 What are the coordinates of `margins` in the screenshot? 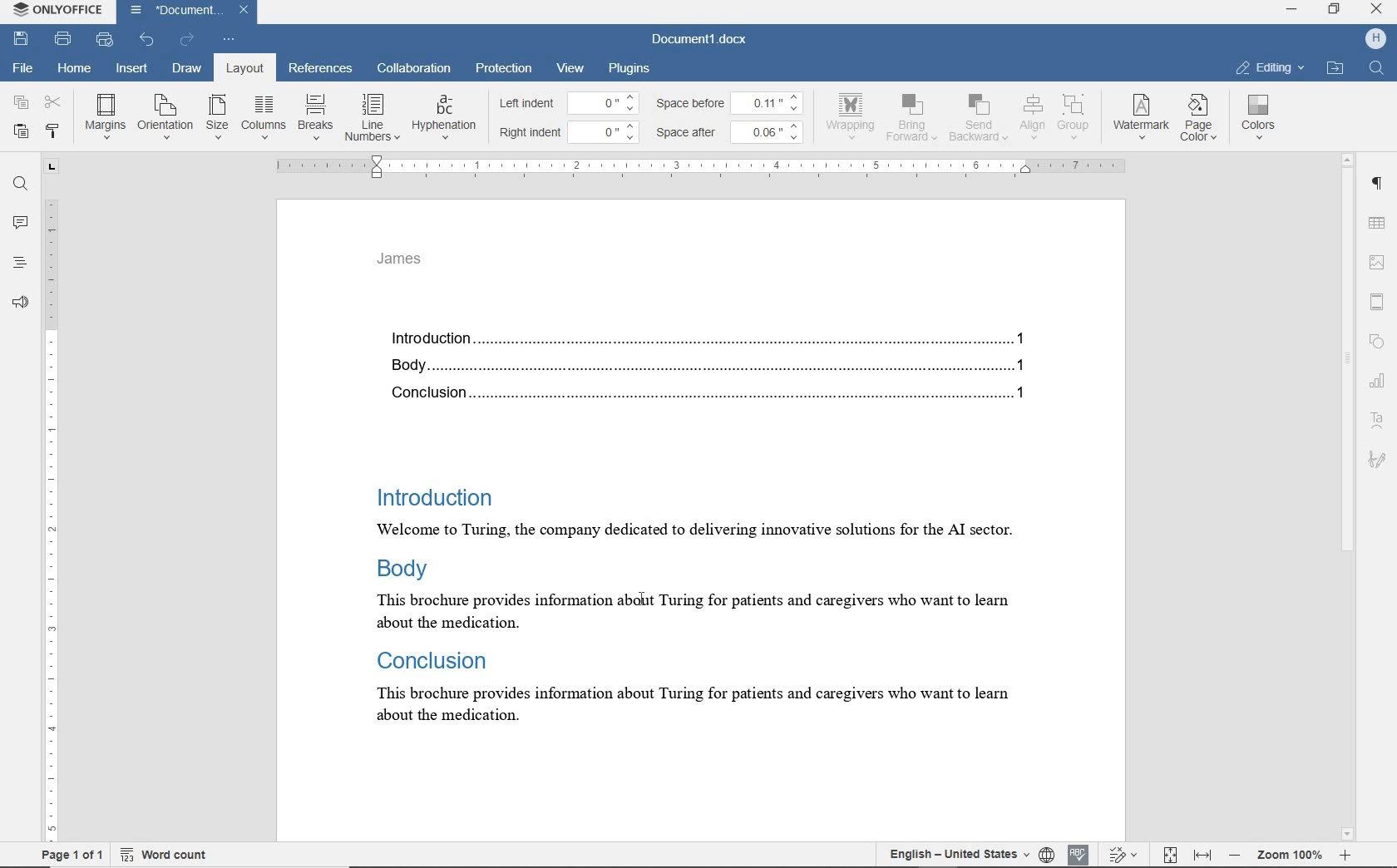 It's located at (105, 116).